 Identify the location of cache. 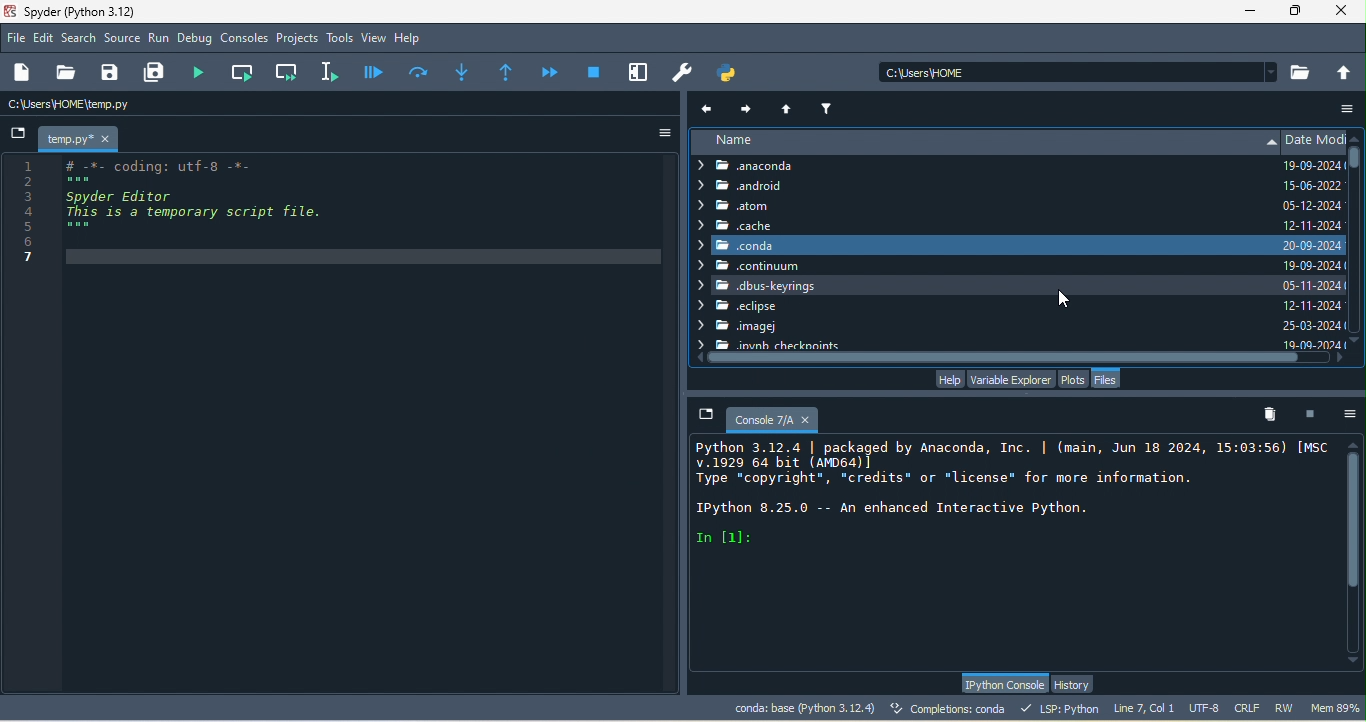
(736, 225).